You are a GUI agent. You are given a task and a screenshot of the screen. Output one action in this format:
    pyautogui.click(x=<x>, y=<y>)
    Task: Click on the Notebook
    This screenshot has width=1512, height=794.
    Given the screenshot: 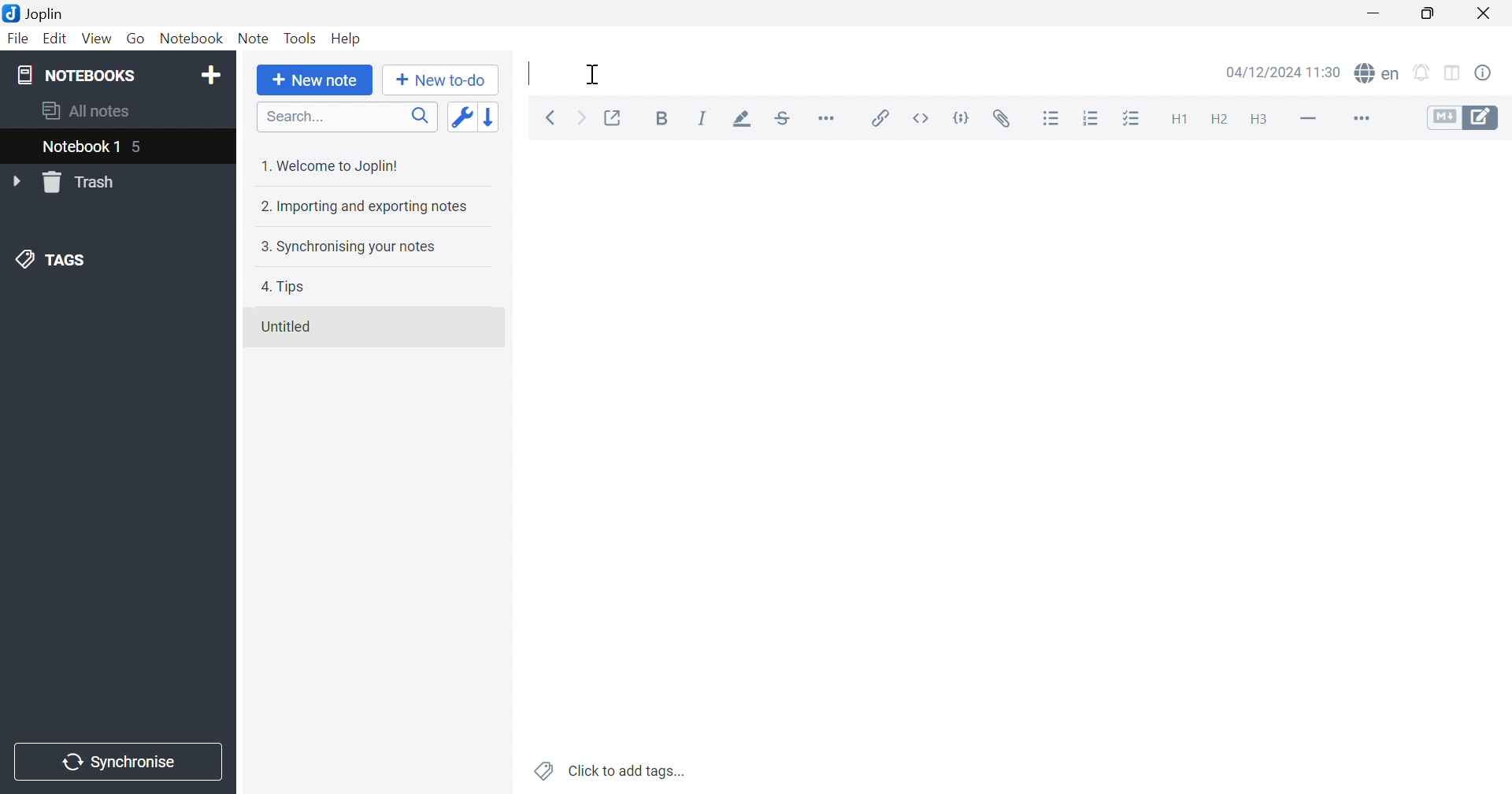 What is the action you would take?
    pyautogui.click(x=191, y=38)
    